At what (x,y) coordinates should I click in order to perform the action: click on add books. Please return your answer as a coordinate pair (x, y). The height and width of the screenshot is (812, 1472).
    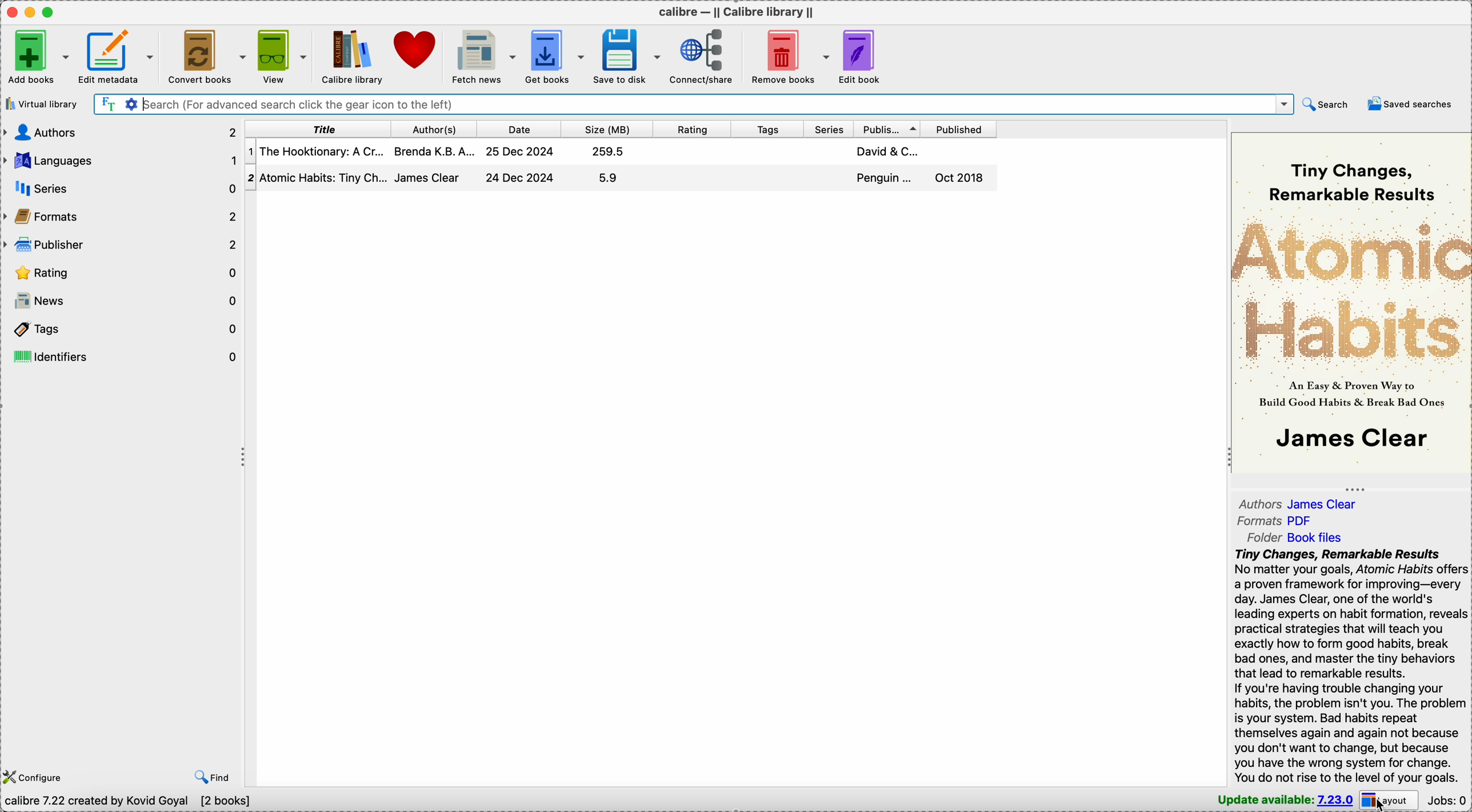
    Looking at the image, I should click on (35, 55).